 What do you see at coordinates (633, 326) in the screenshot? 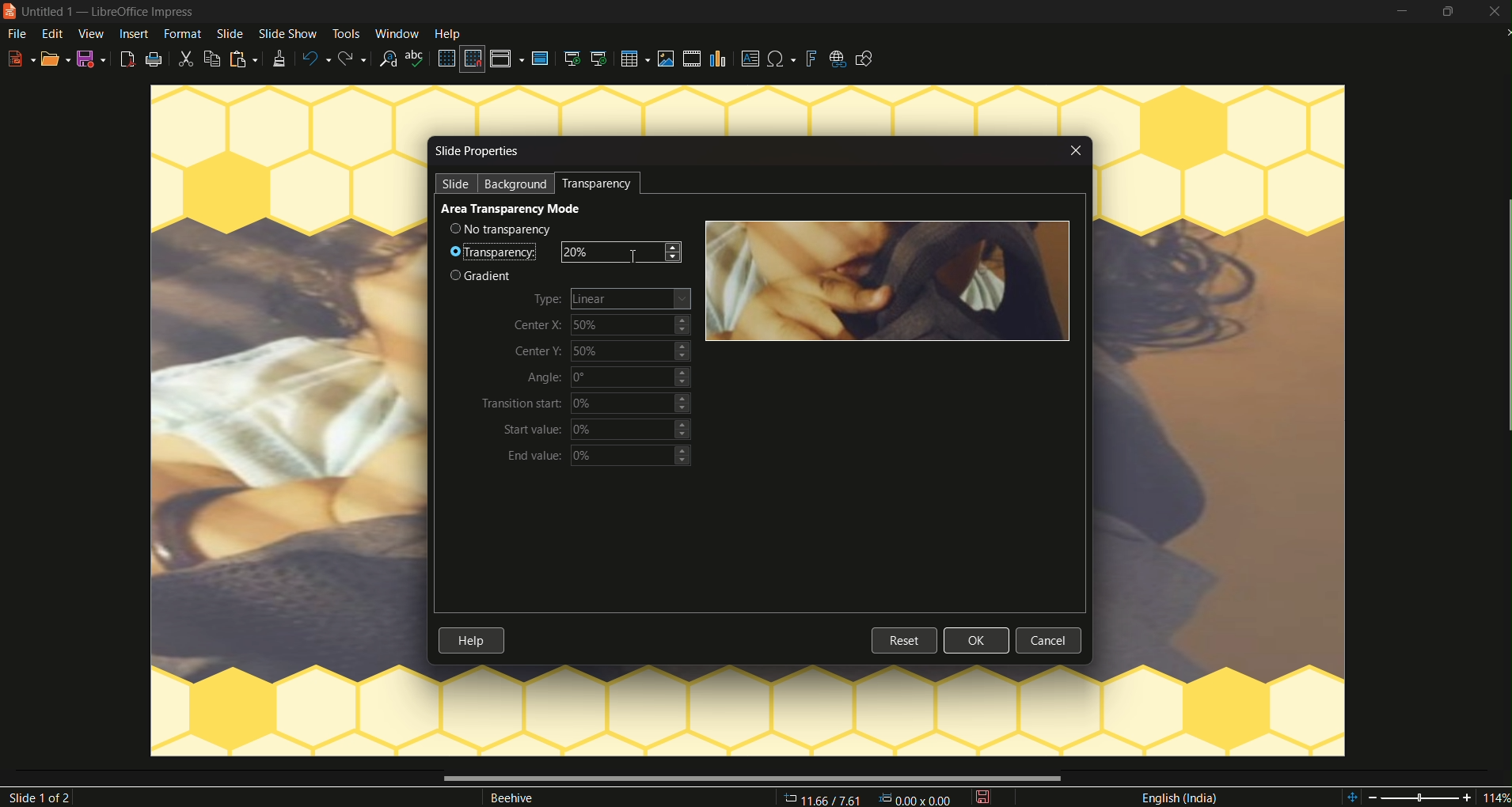
I see `50%` at bounding box center [633, 326].